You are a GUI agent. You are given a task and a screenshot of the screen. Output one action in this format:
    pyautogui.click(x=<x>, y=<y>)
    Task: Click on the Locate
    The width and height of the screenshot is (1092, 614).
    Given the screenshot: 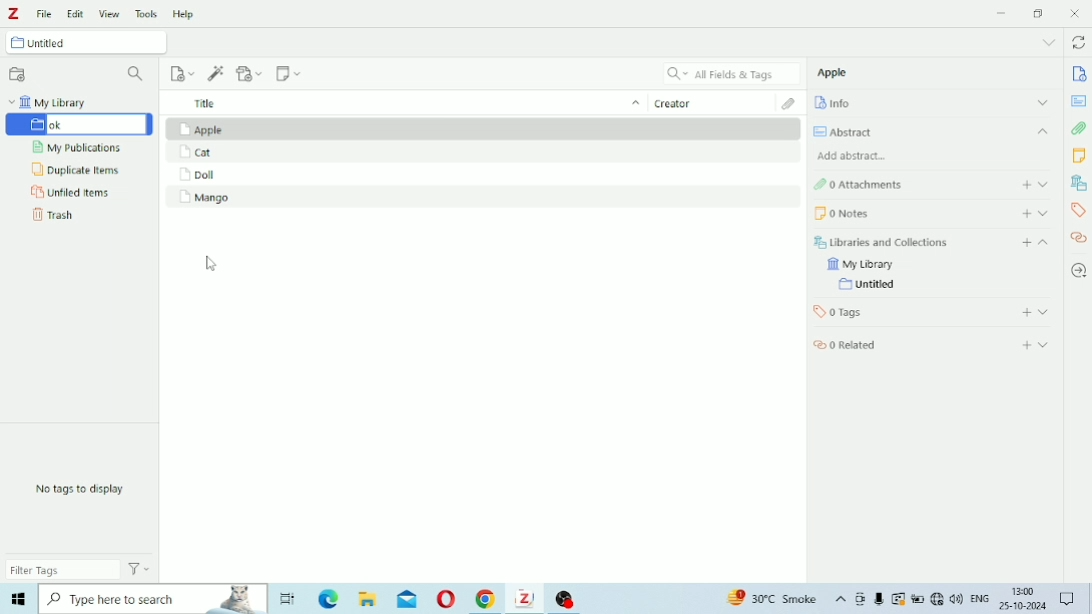 What is the action you would take?
    pyautogui.click(x=1079, y=271)
    